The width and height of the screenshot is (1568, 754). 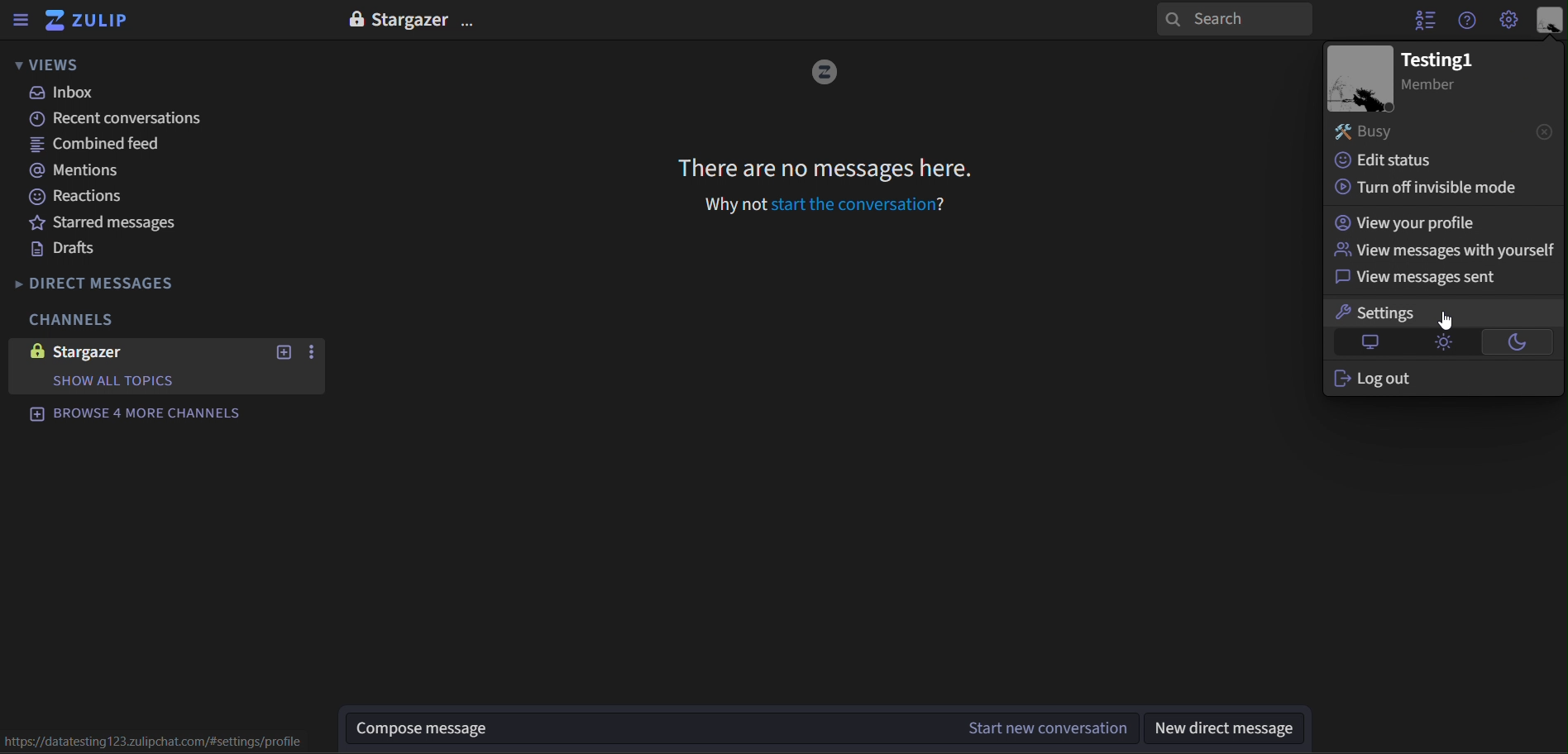 I want to click on remove, so click(x=1542, y=131).